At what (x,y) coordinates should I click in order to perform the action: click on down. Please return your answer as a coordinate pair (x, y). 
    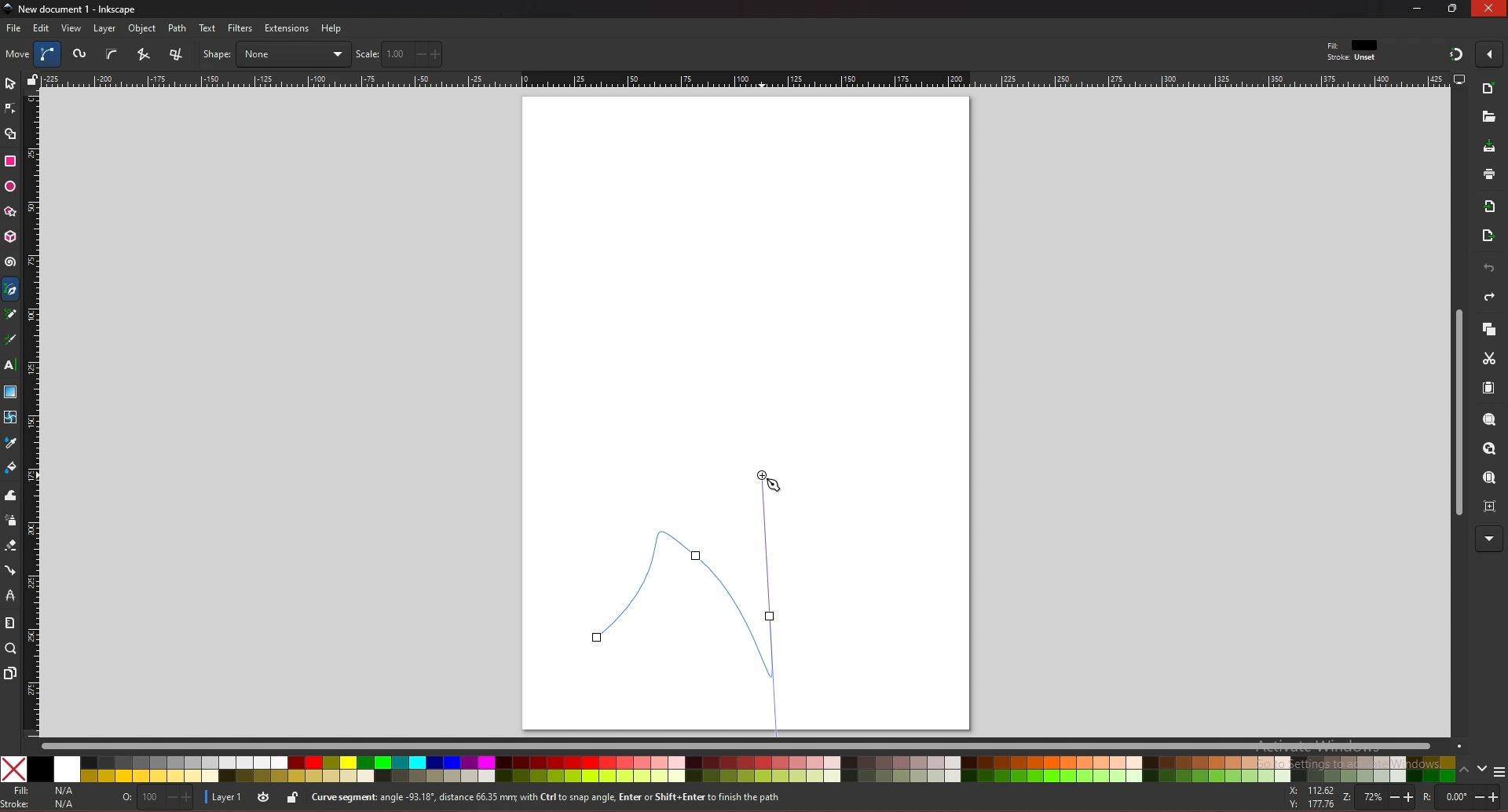
    Looking at the image, I should click on (1483, 769).